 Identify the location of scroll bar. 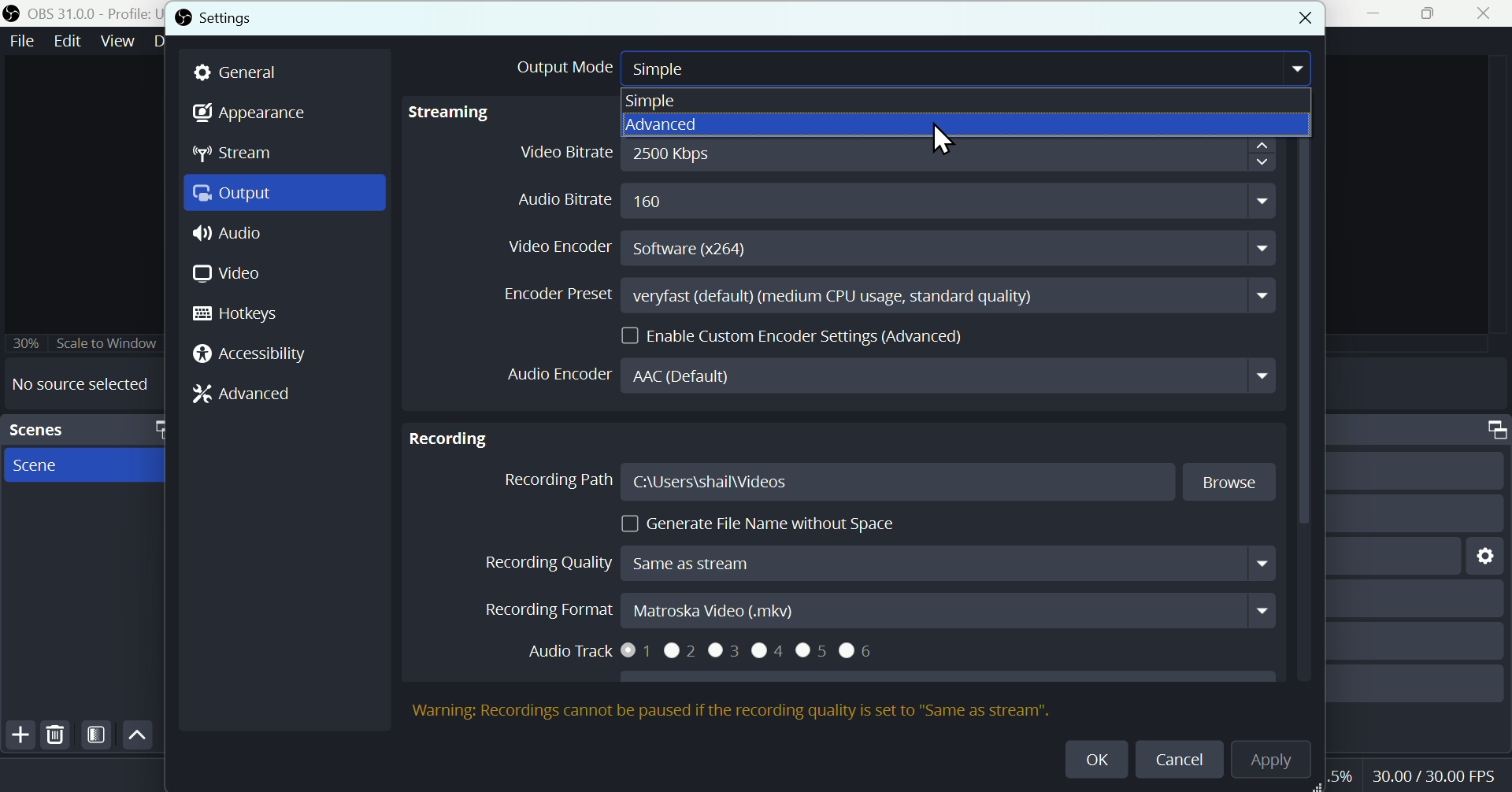
(1306, 409).